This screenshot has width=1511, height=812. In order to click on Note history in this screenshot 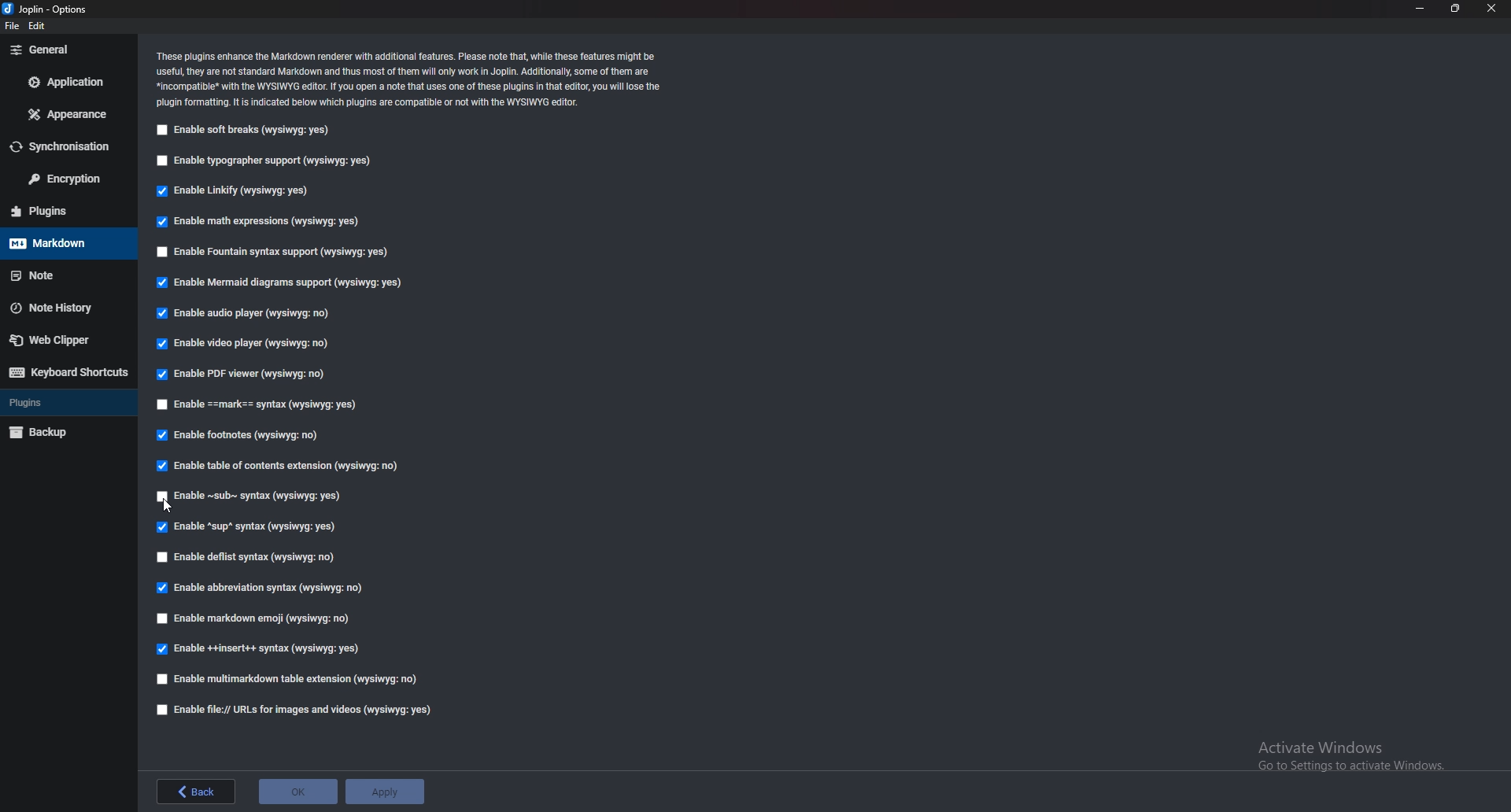, I will do `click(66, 308)`.